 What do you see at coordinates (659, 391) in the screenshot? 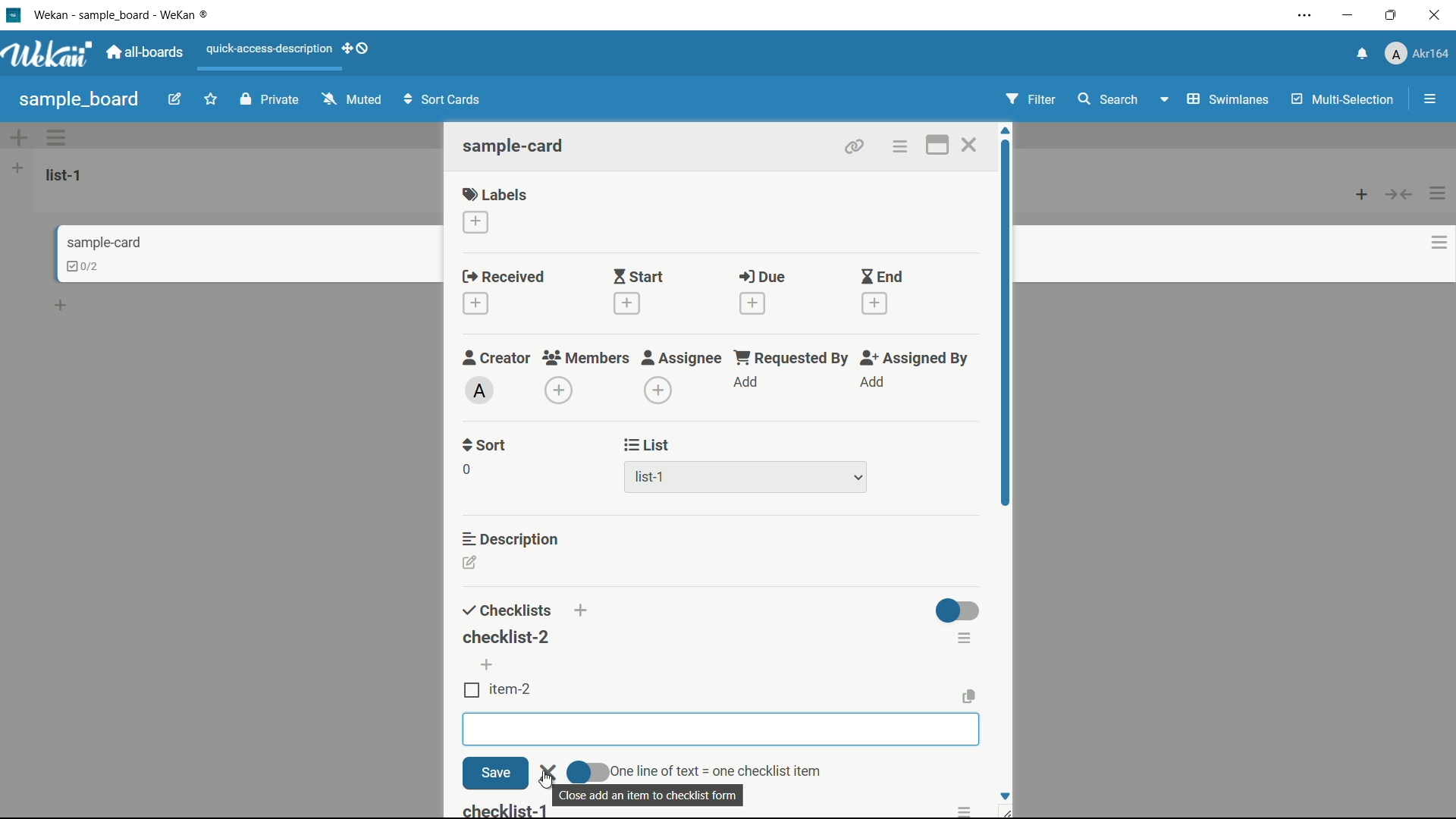
I see `add assignee` at bounding box center [659, 391].